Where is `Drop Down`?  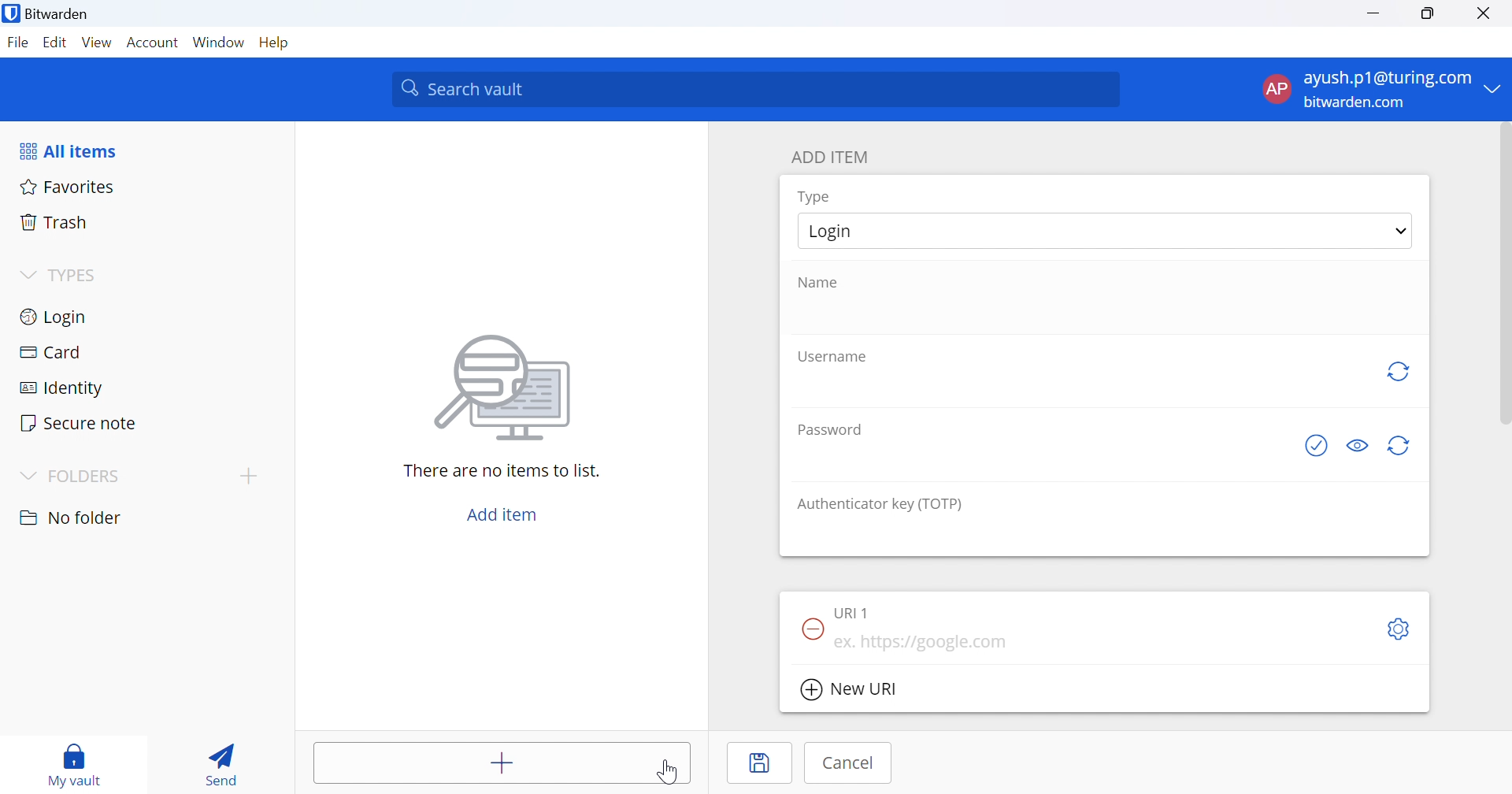
Drop Down is located at coordinates (1398, 232).